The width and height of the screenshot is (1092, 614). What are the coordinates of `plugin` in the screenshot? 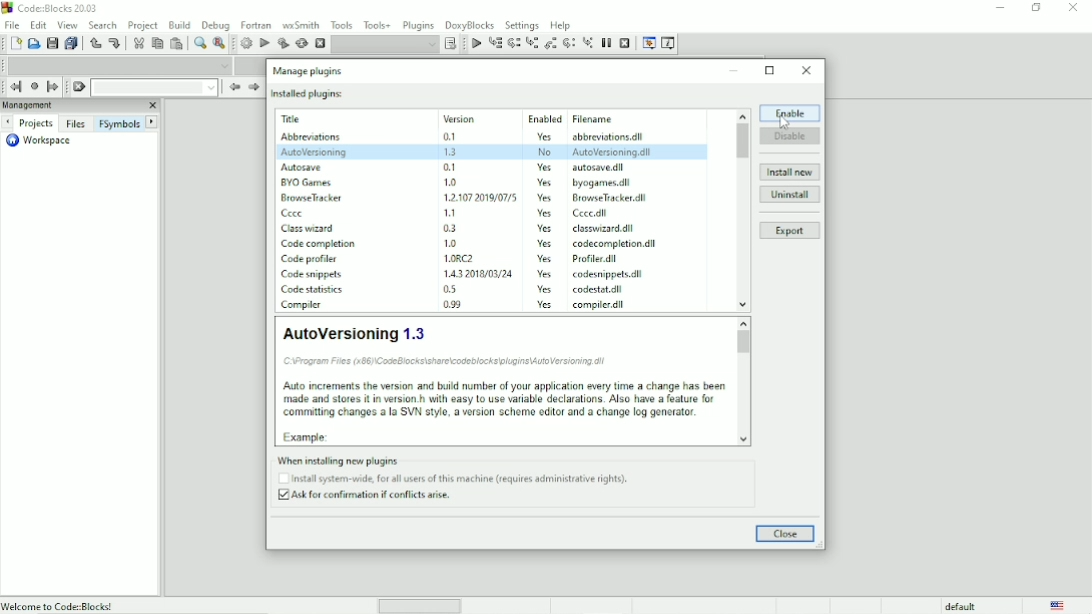 It's located at (295, 212).